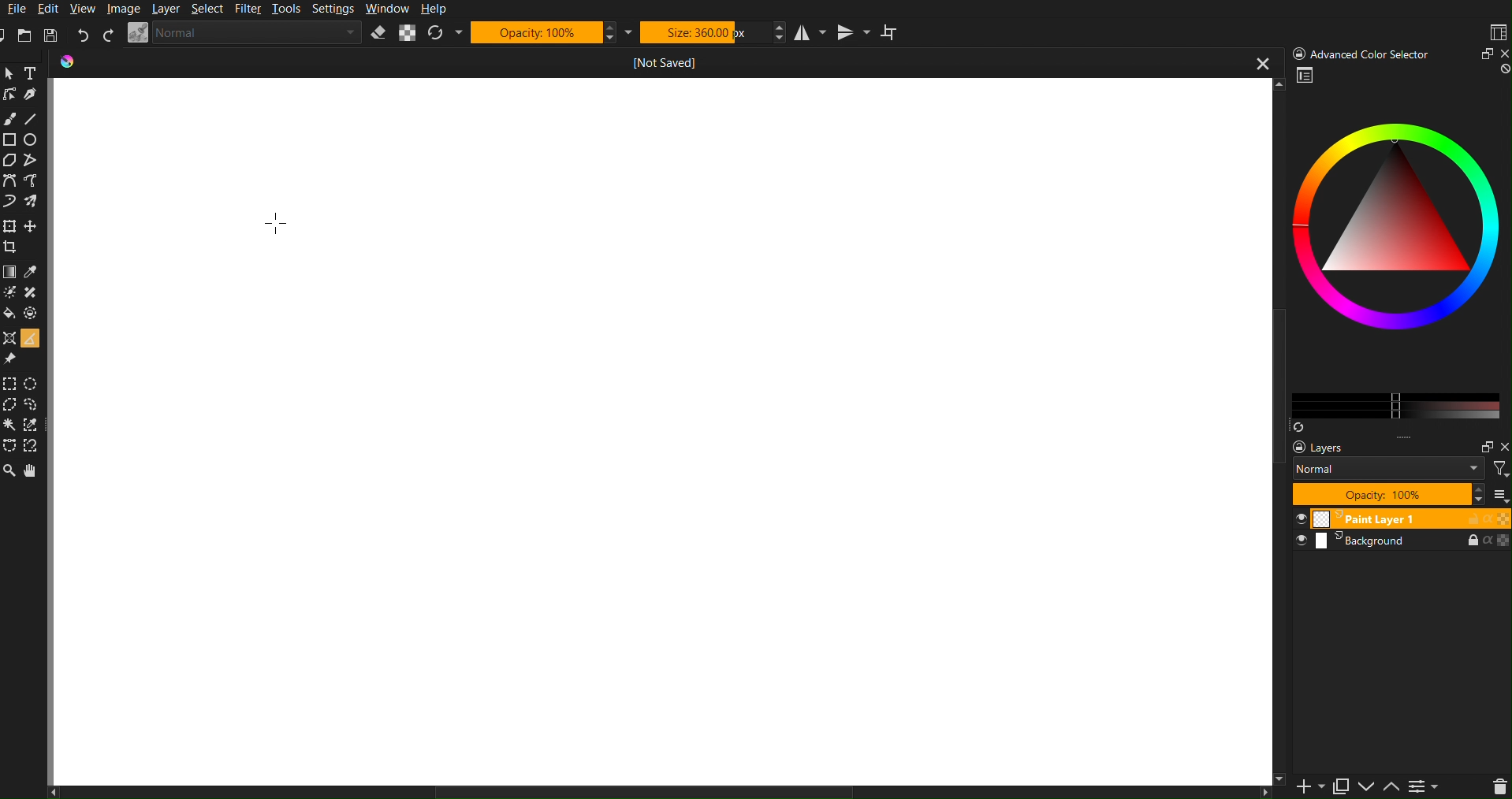 The height and width of the screenshot is (799, 1512). I want to click on Ruler Tool, so click(29, 336).